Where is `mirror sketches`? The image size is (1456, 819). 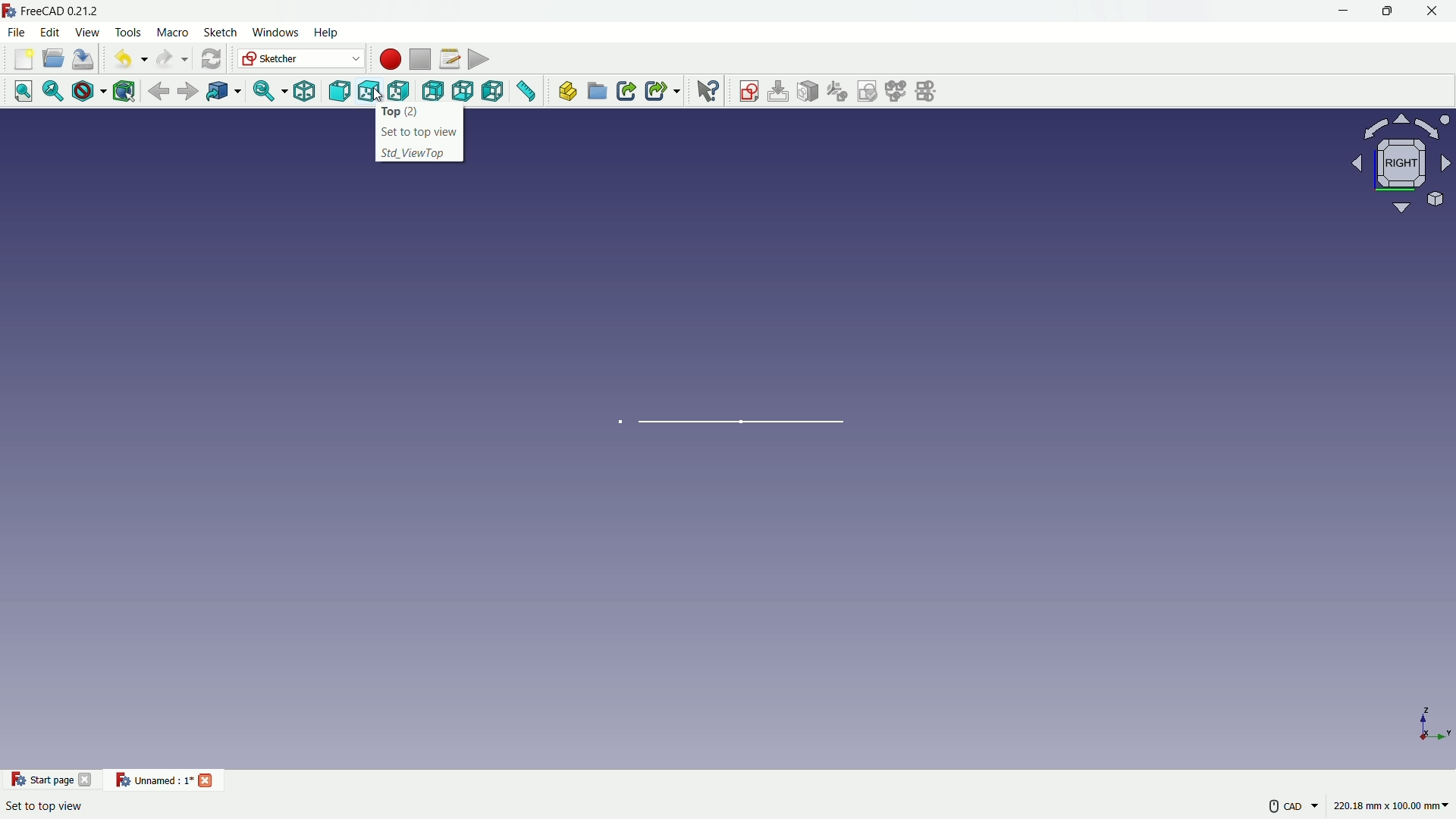 mirror sketches is located at coordinates (929, 92).